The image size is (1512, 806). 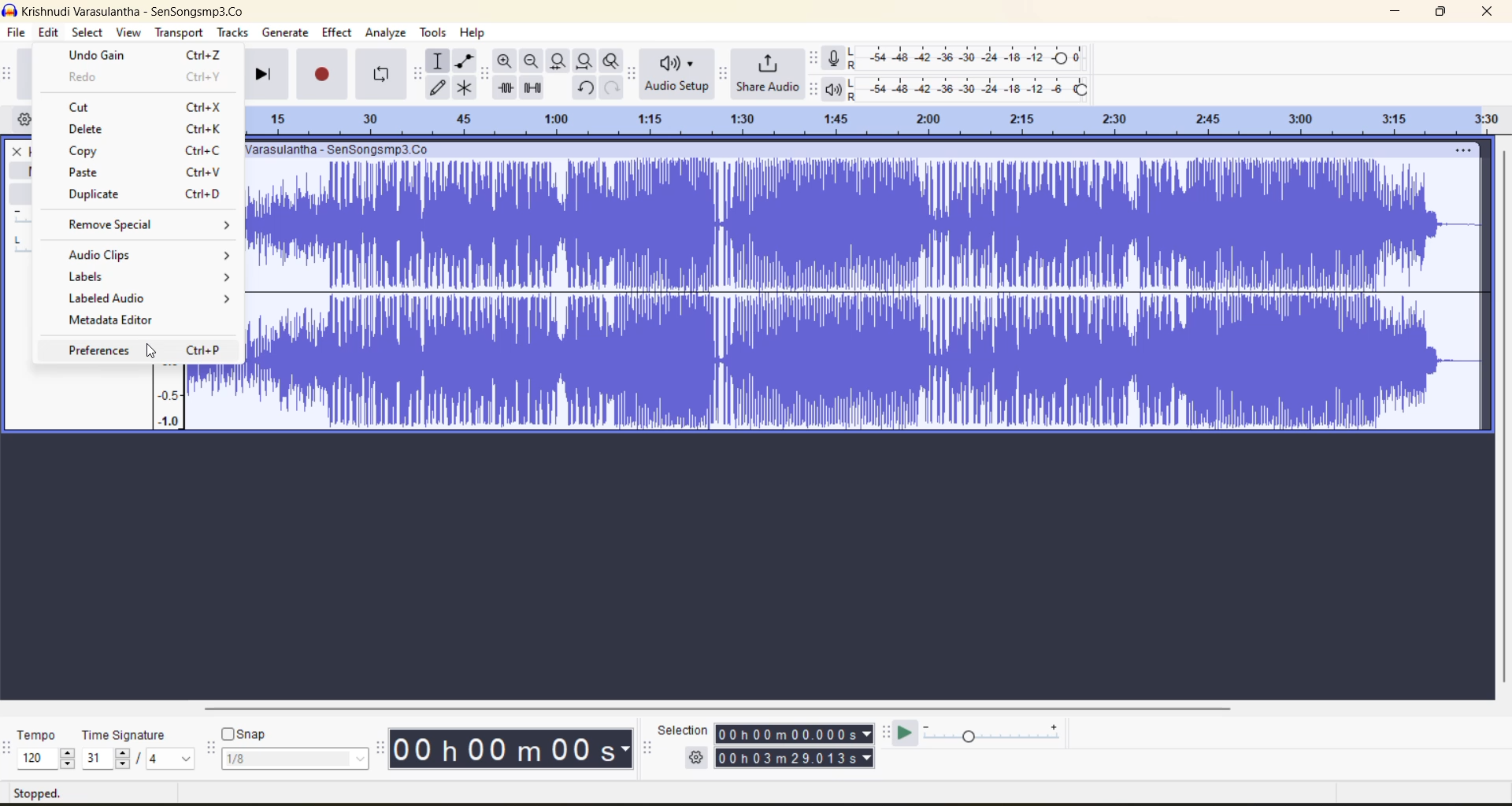 I want to click on multi tool, so click(x=466, y=87).